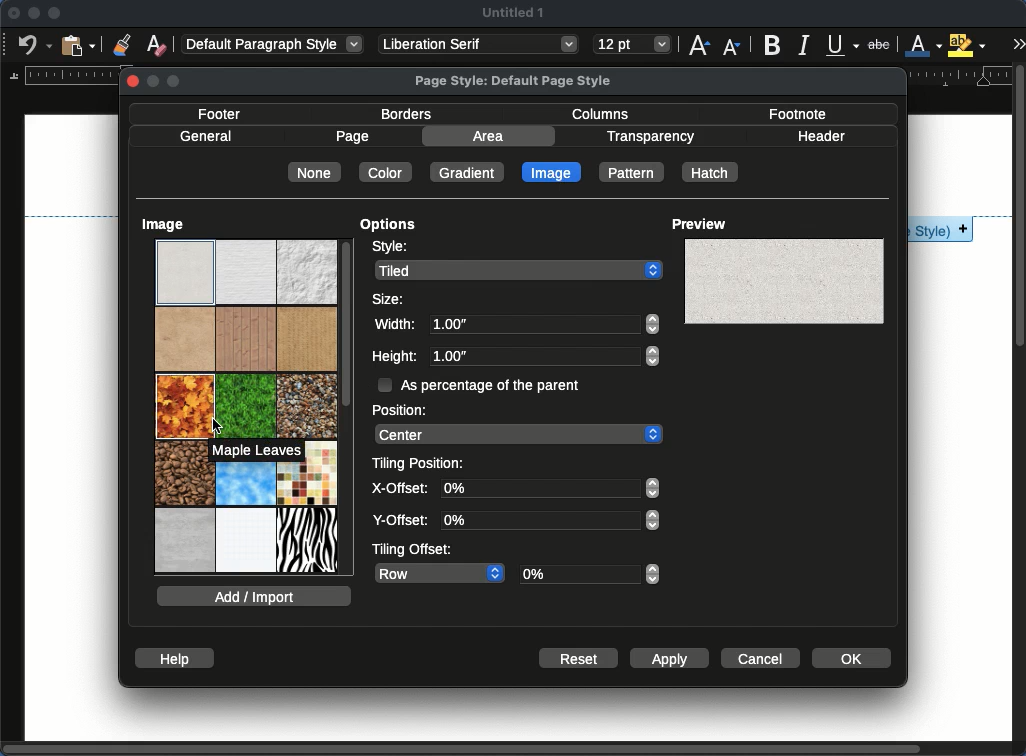 This screenshot has width=1026, height=756. Describe the element at coordinates (399, 247) in the screenshot. I see `style:` at that location.